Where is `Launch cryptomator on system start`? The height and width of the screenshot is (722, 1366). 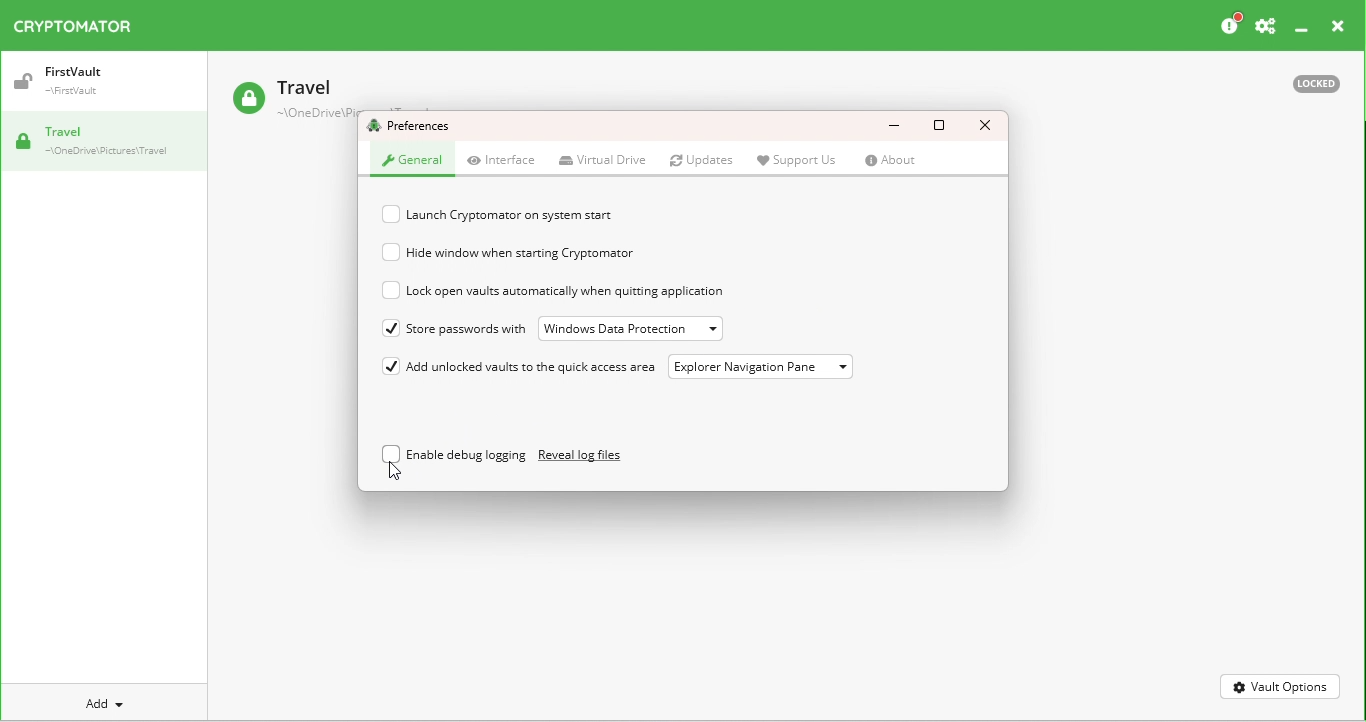 Launch cryptomator on system start is located at coordinates (533, 213).